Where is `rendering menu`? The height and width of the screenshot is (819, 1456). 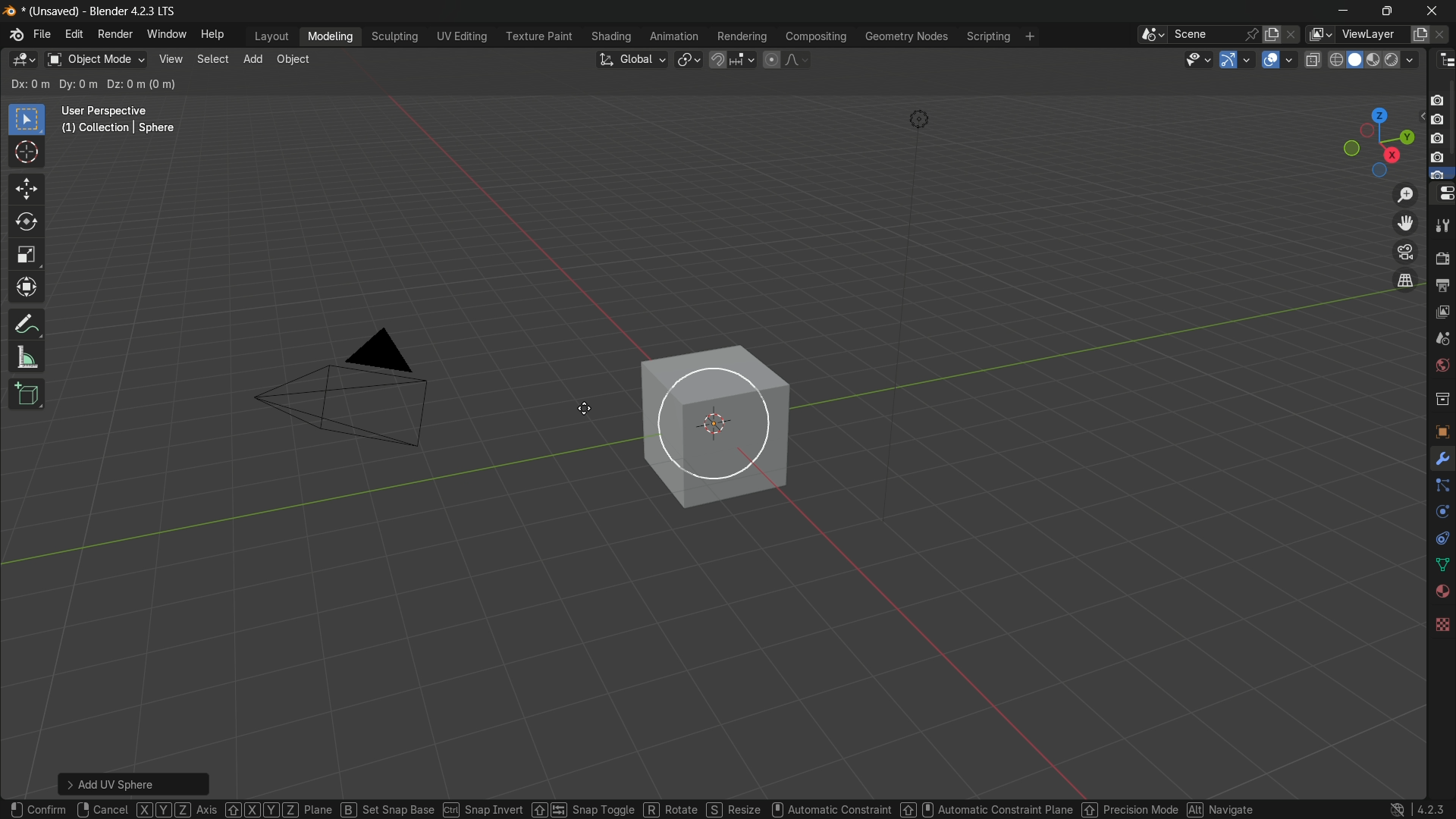 rendering menu is located at coordinates (742, 36).